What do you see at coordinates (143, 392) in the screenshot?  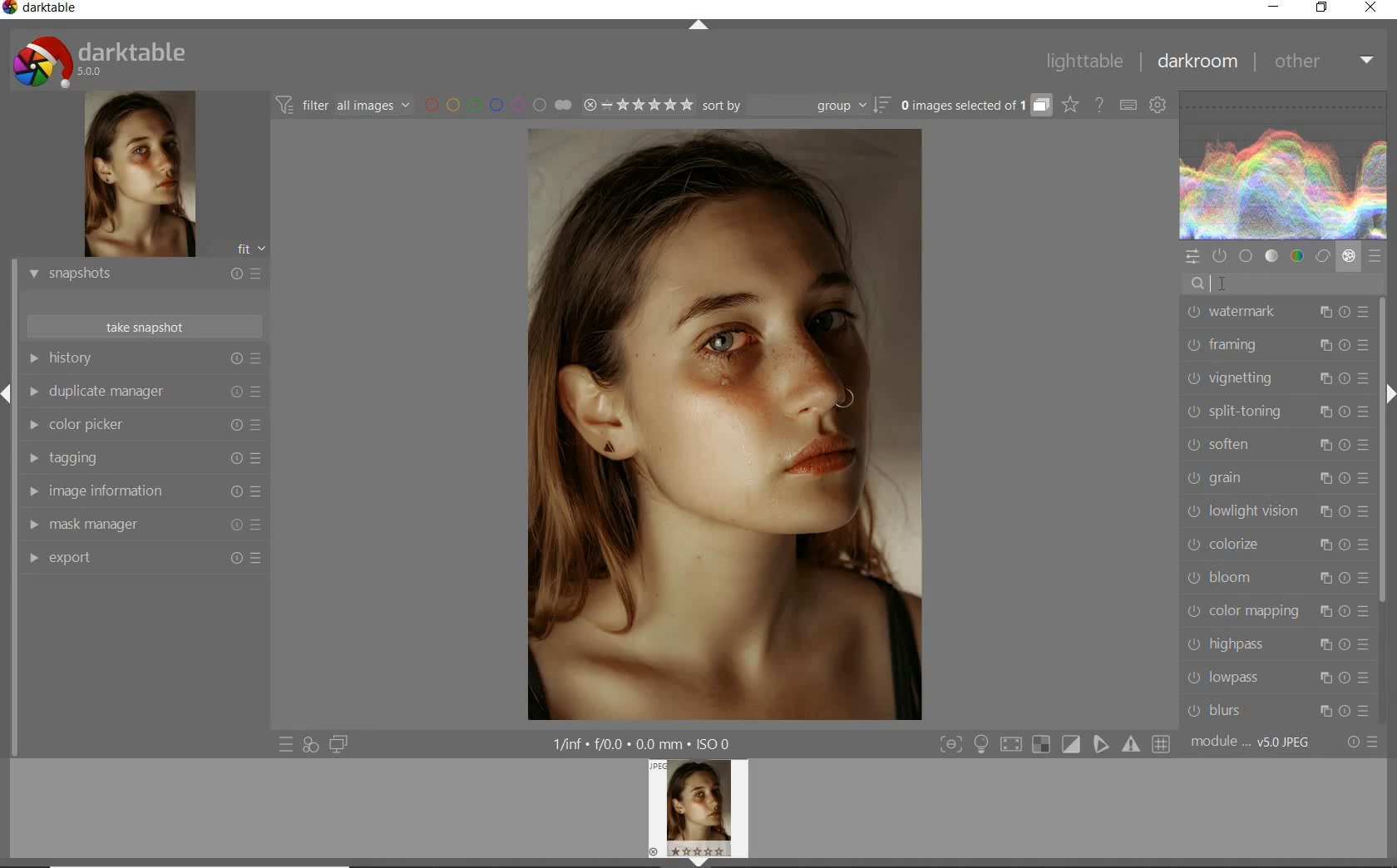 I see `duplicate manager` at bounding box center [143, 392].